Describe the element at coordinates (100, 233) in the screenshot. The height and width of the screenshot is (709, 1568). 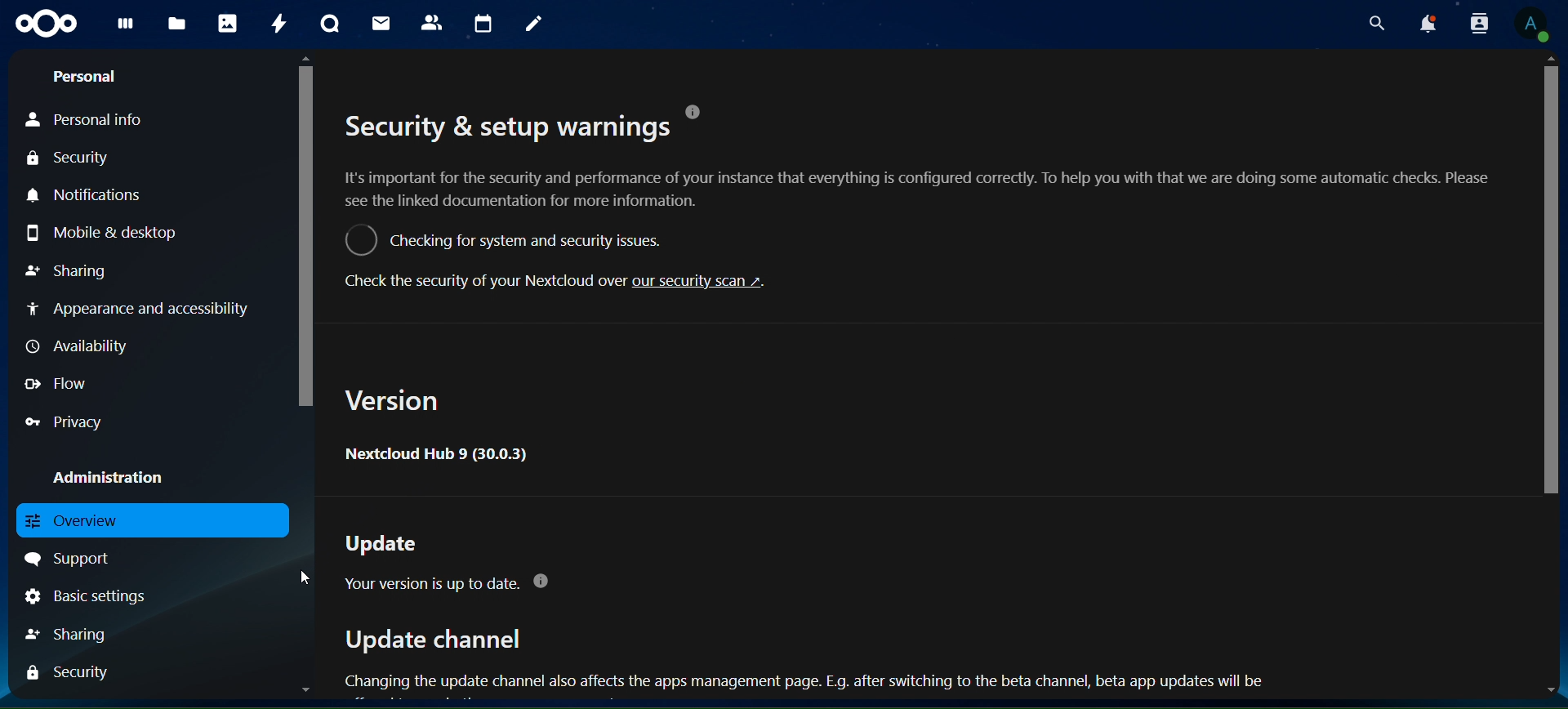
I see `mobile & desktop` at that location.